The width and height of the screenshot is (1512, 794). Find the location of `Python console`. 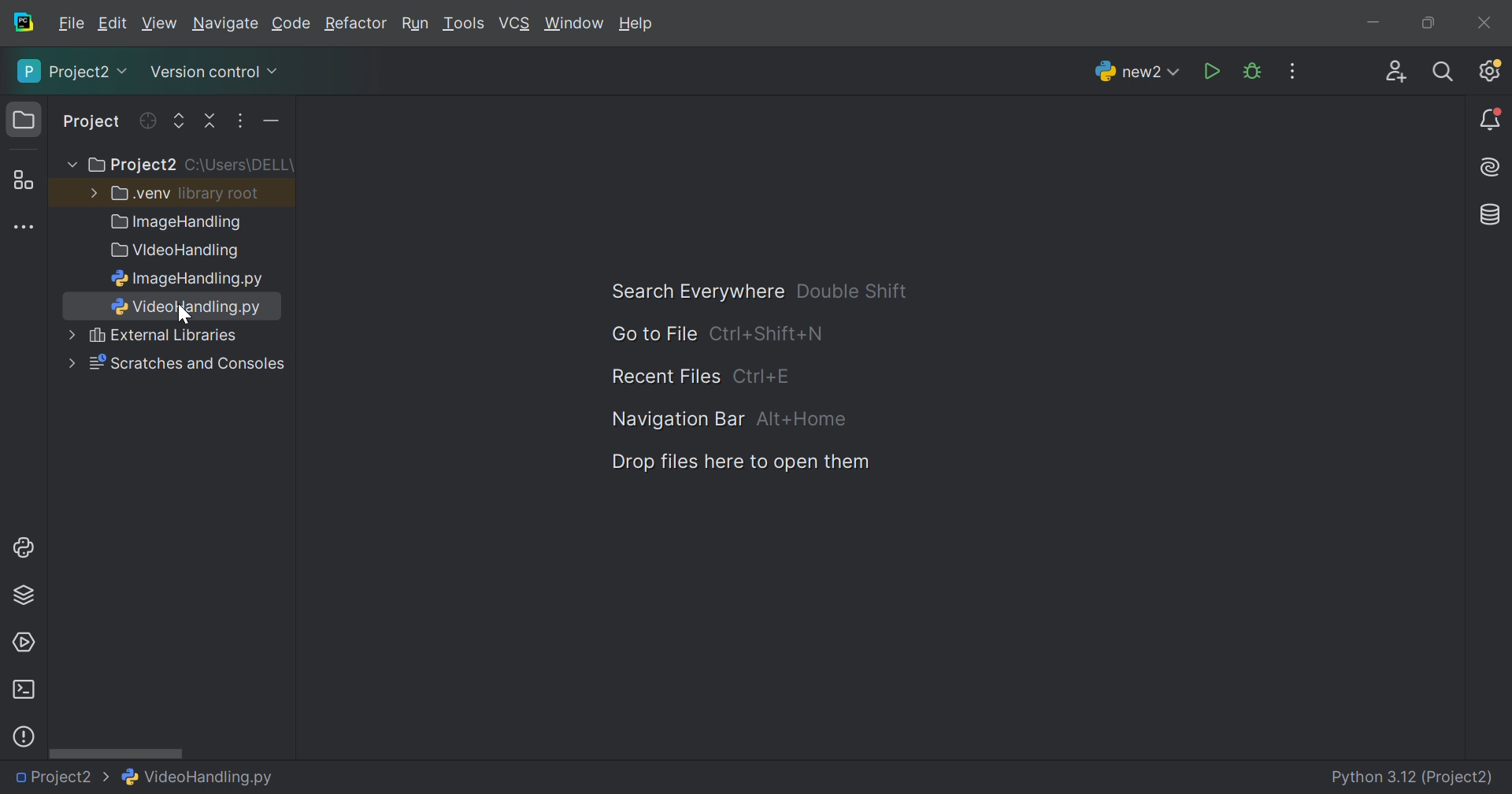

Python console is located at coordinates (26, 547).